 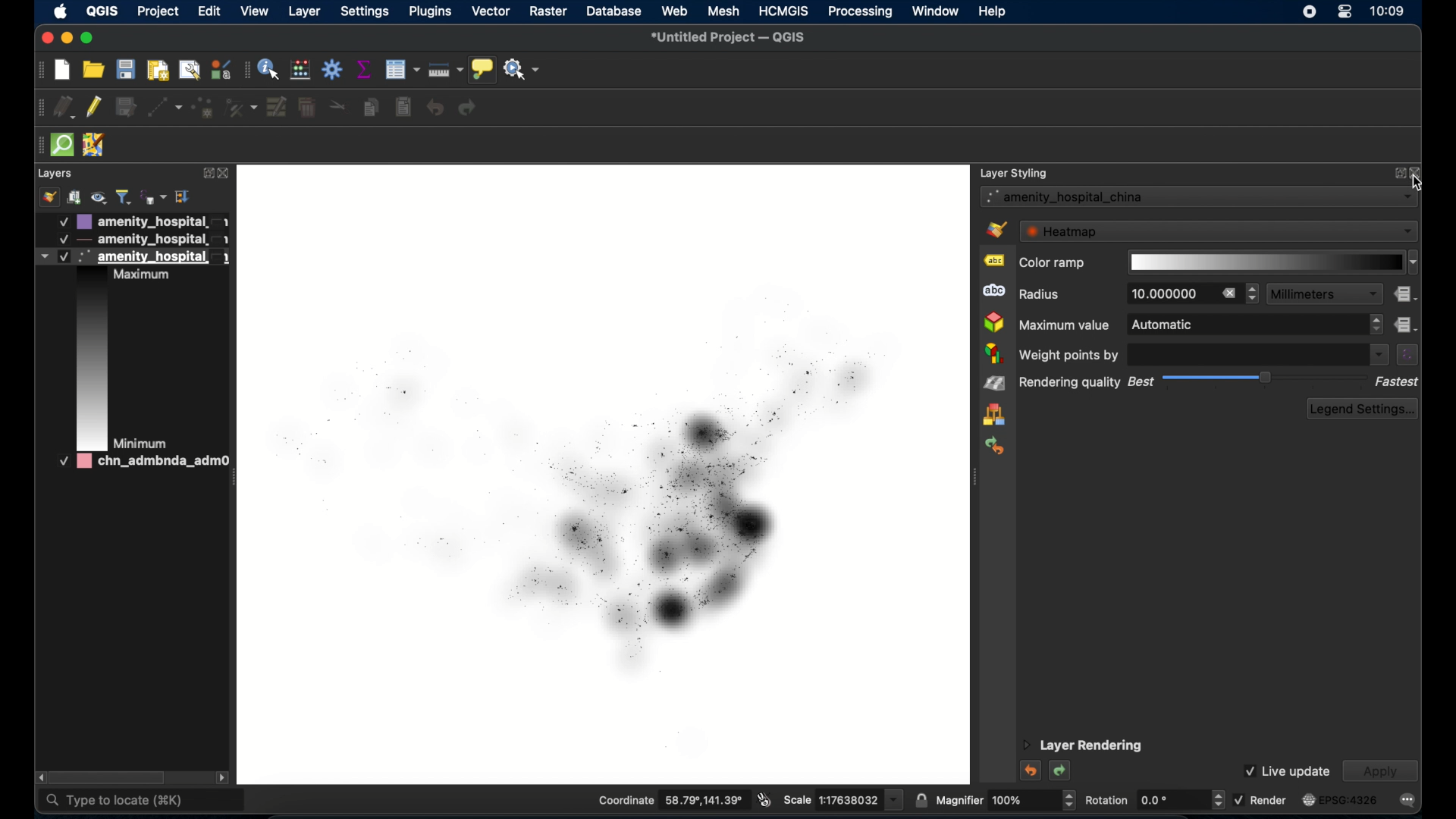 I want to click on slider, so click(x=1265, y=378).